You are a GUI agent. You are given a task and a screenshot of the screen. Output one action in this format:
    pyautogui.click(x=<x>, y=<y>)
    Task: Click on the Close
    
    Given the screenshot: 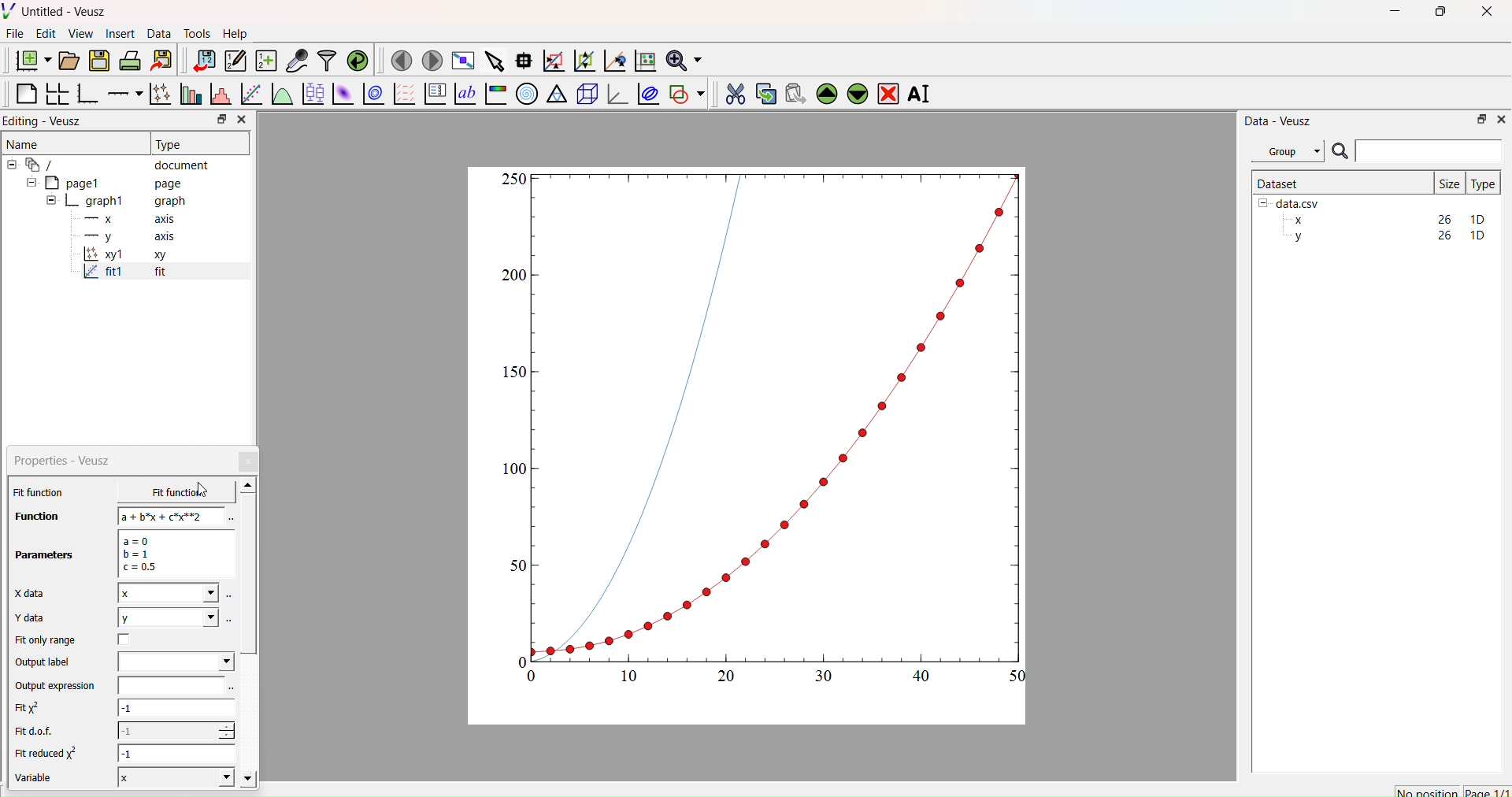 What is the action you would take?
    pyautogui.click(x=1500, y=118)
    